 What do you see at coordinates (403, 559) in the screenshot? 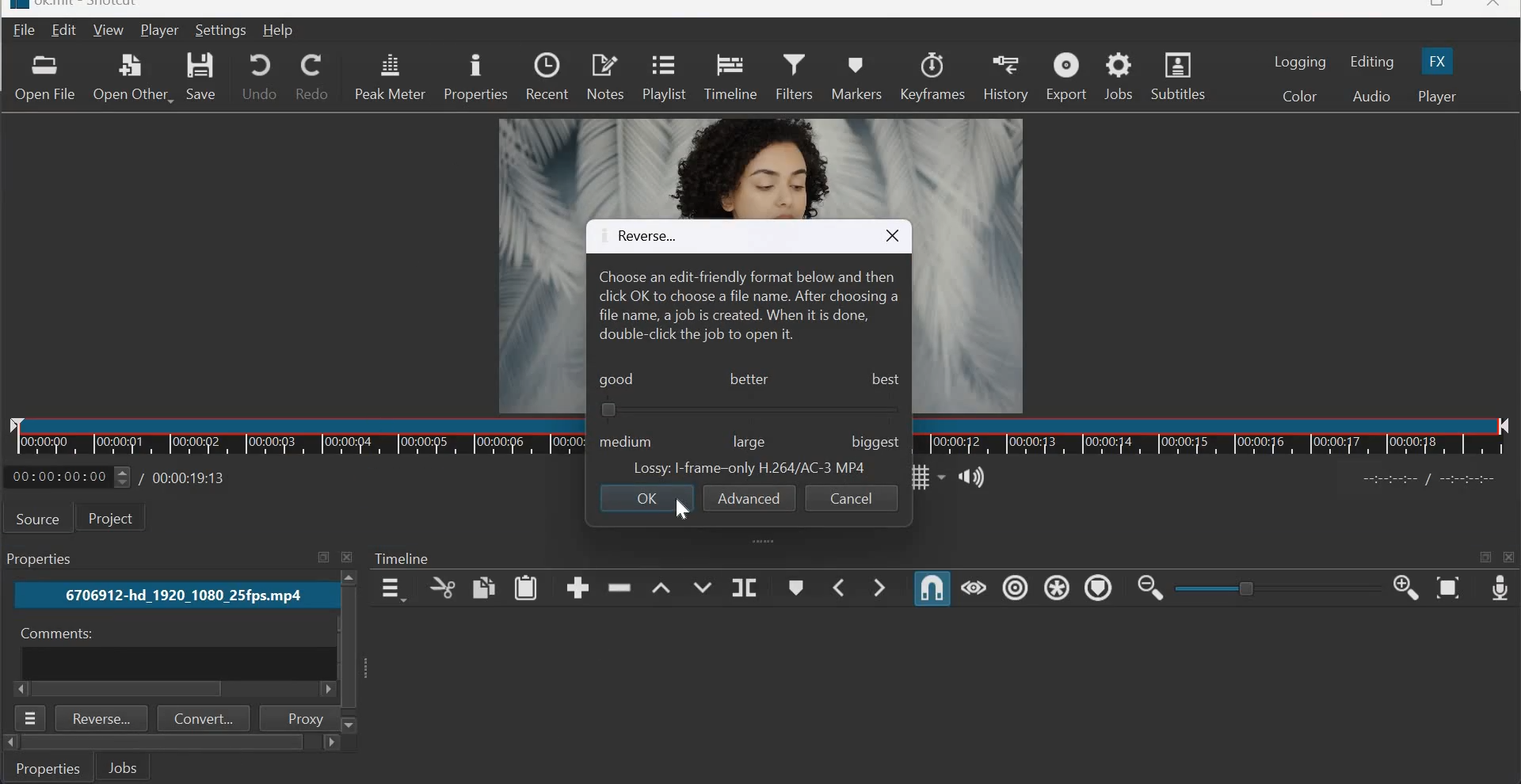
I see `Timeline` at bounding box center [403, 559].